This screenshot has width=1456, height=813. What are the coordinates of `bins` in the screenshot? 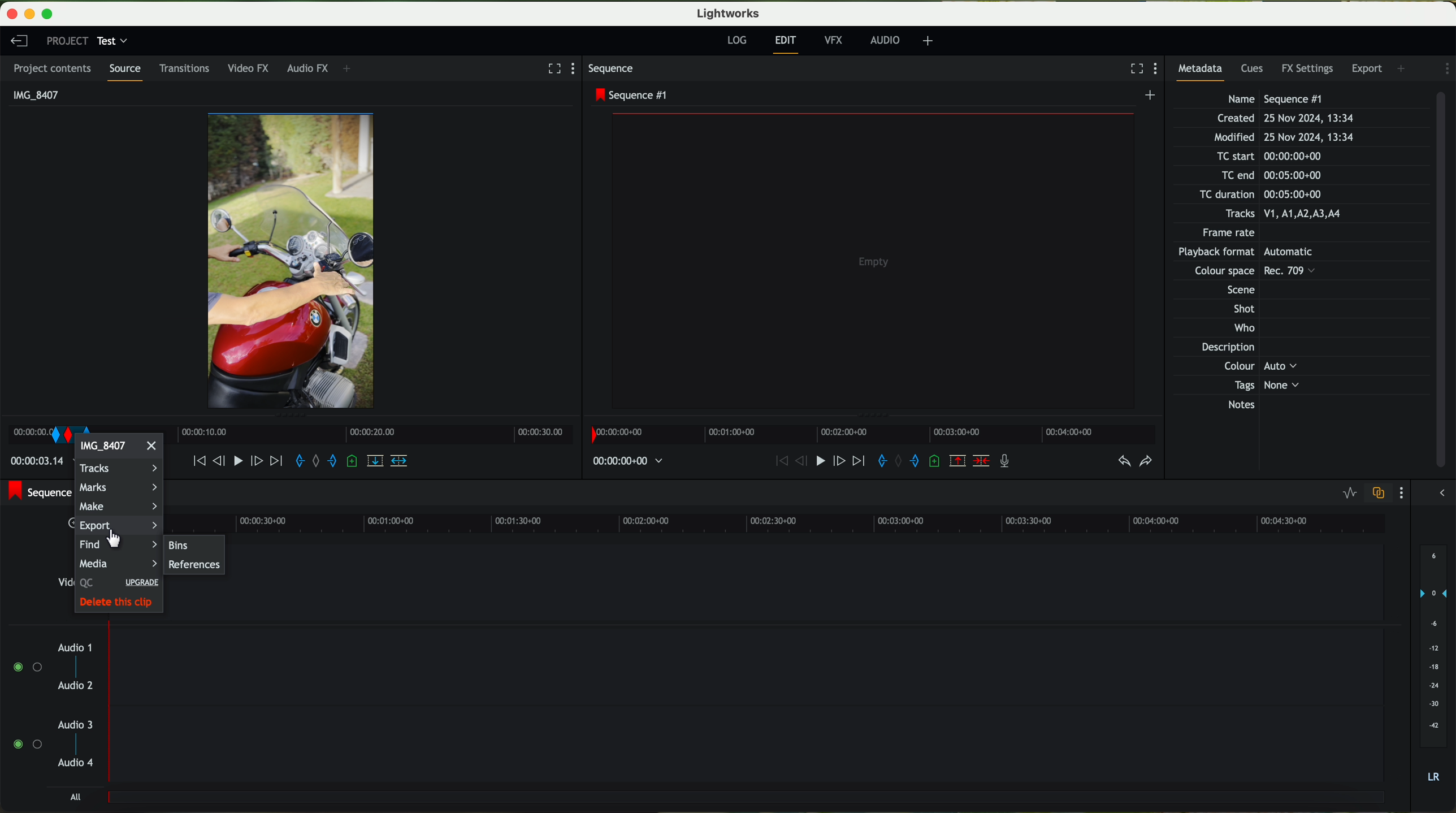 It's located at (194, 543).